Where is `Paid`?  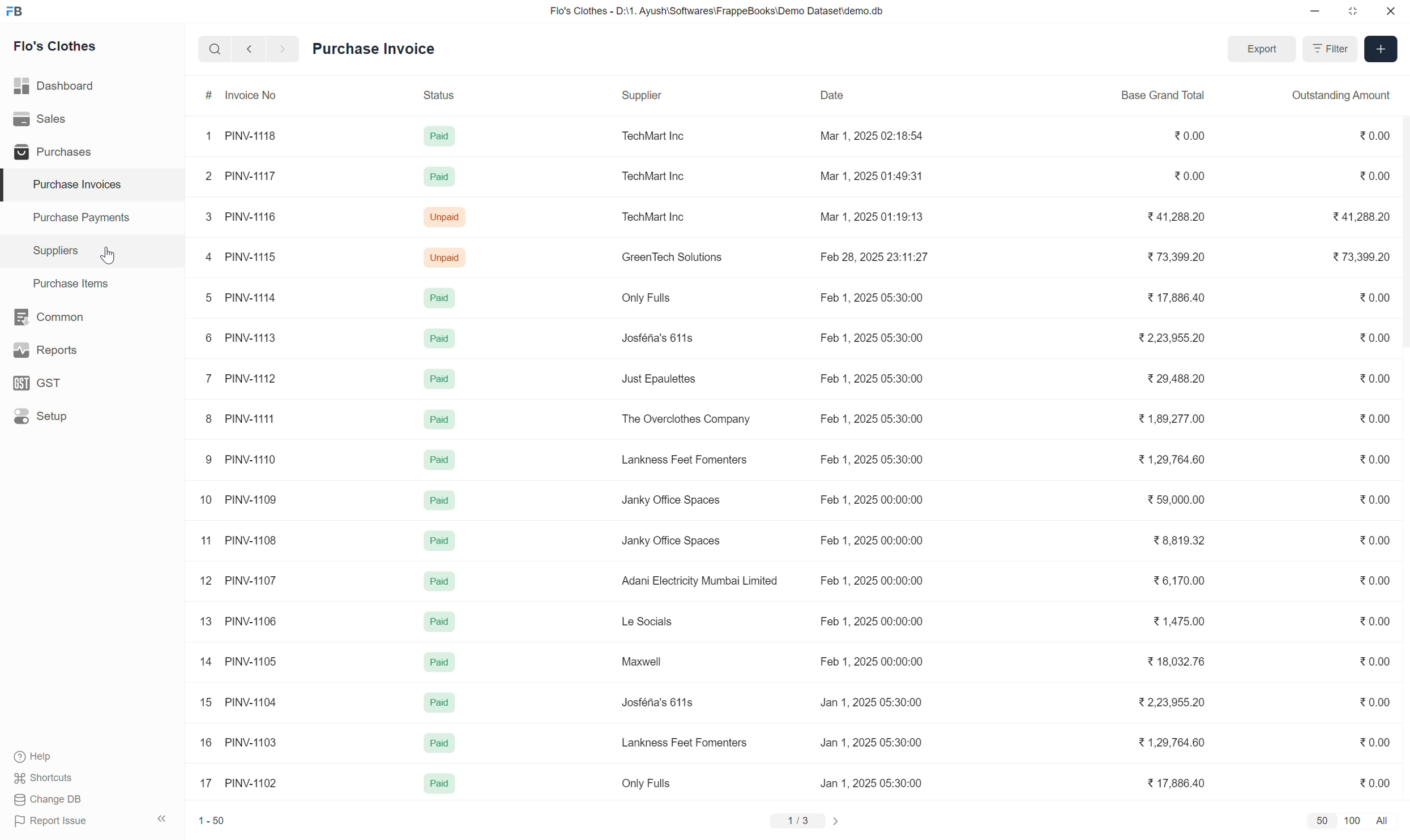 Paid is located at coordinates (434, 457).